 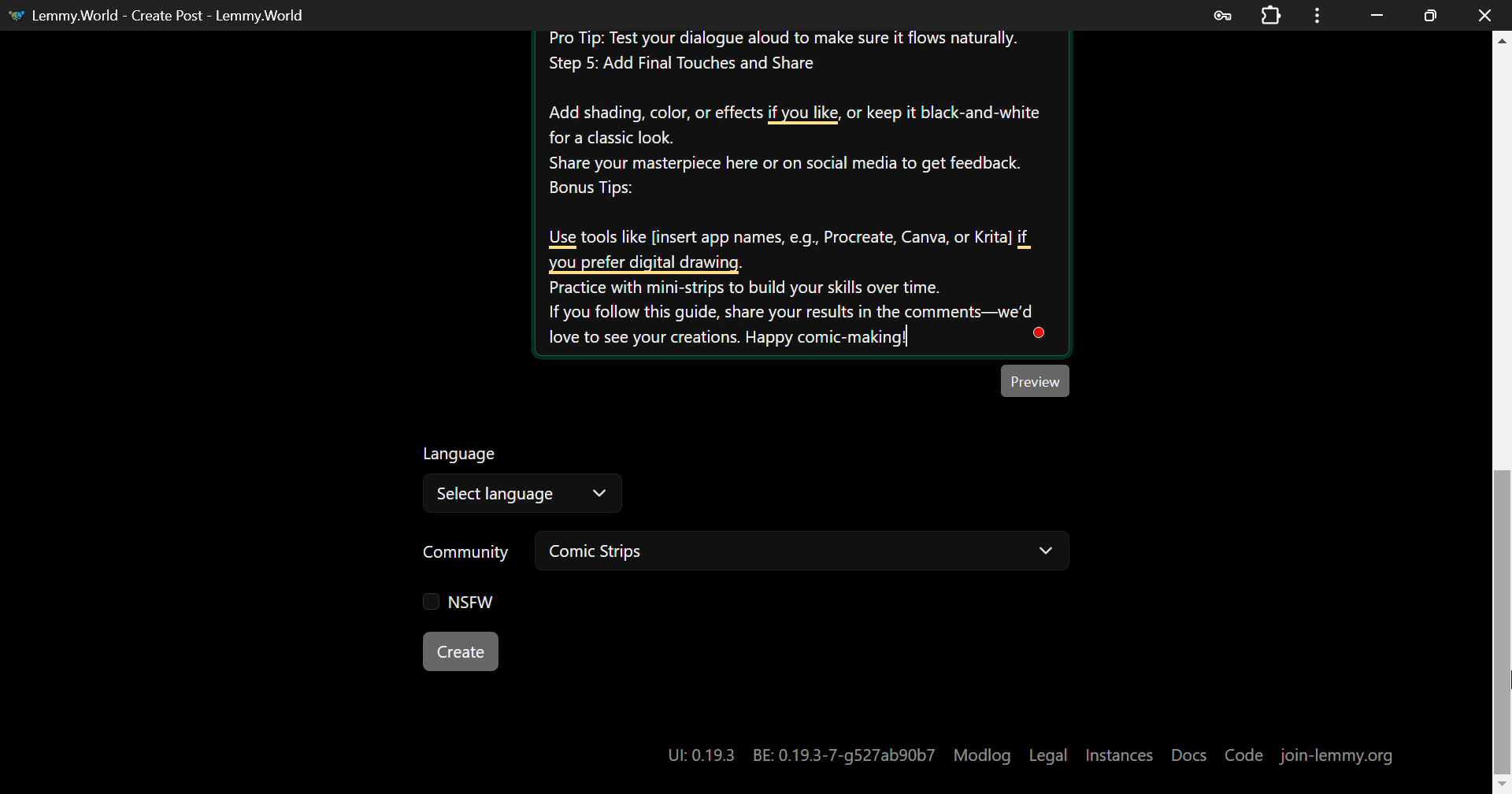 What do you see at coordinates (1036, 380) in the screenshot?
I see `Preview` at bounding box center [1036, 380].